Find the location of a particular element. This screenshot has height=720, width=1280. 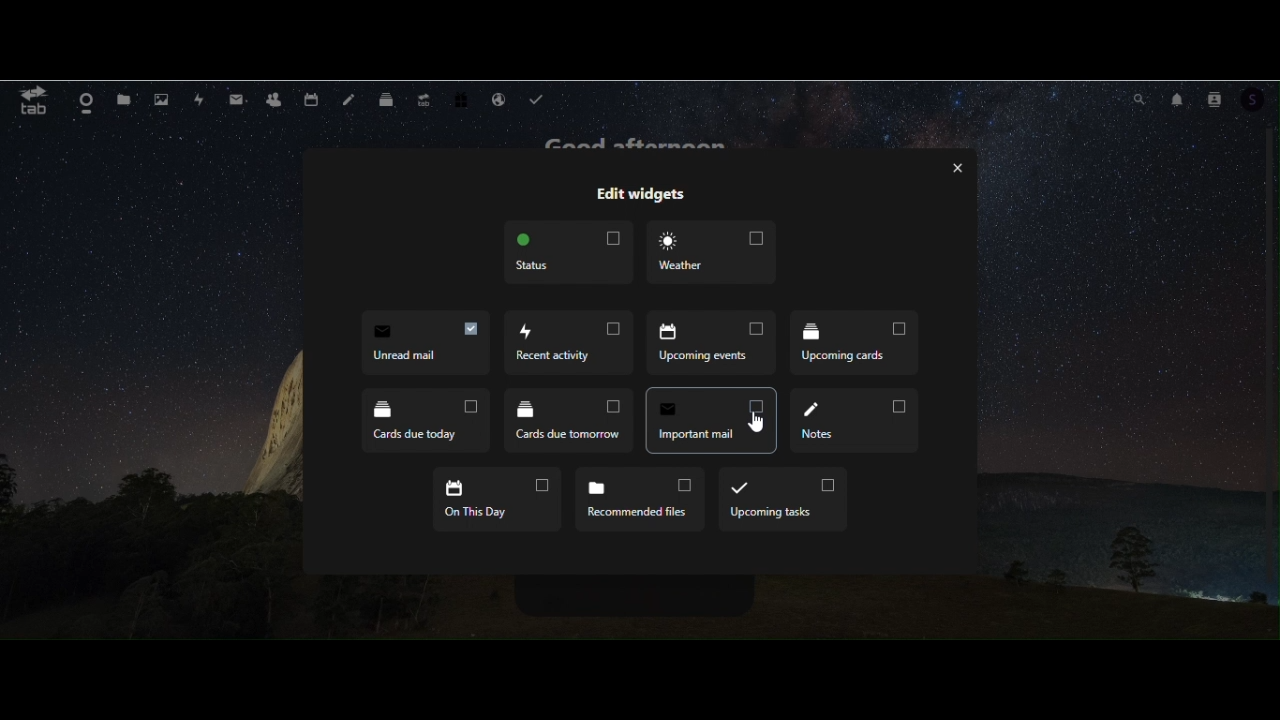

recommended files is located at coordinates (638, 499).